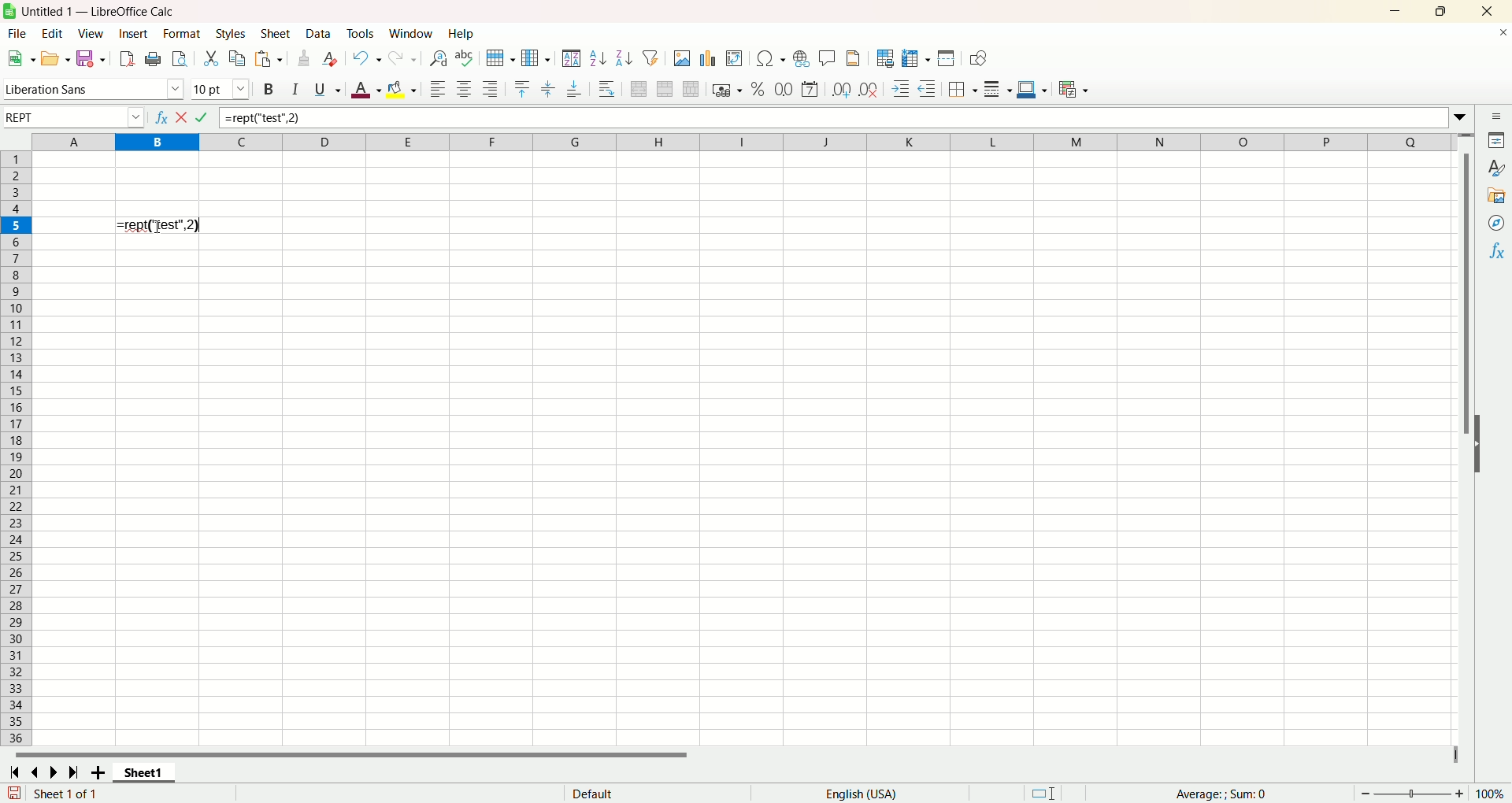 This screenshot has height=803, width=1512. I want to click on REPT, so click(72, 117).